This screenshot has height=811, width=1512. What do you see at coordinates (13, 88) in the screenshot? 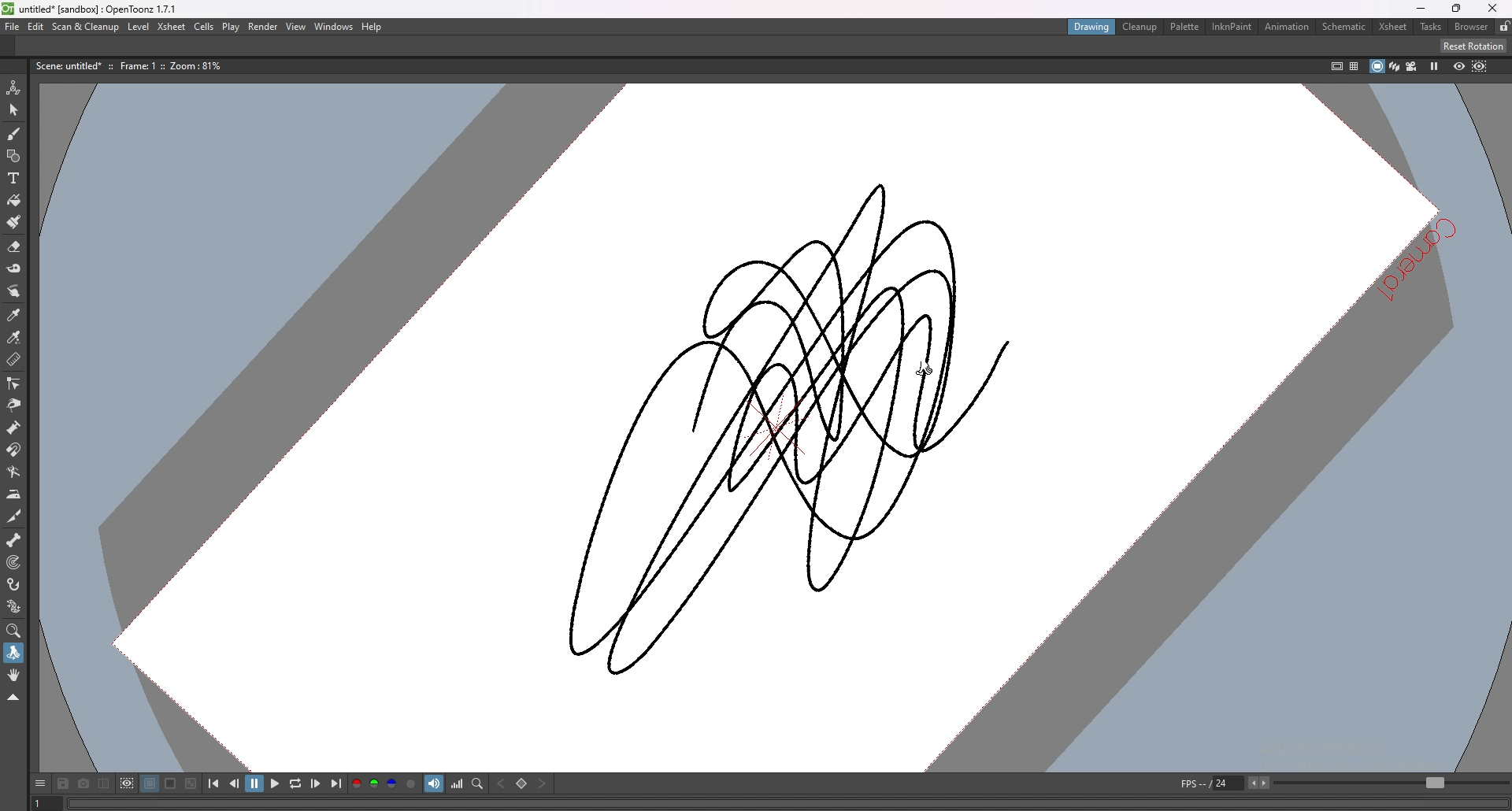
I see `animate tool` at bounding box center [13, 88].